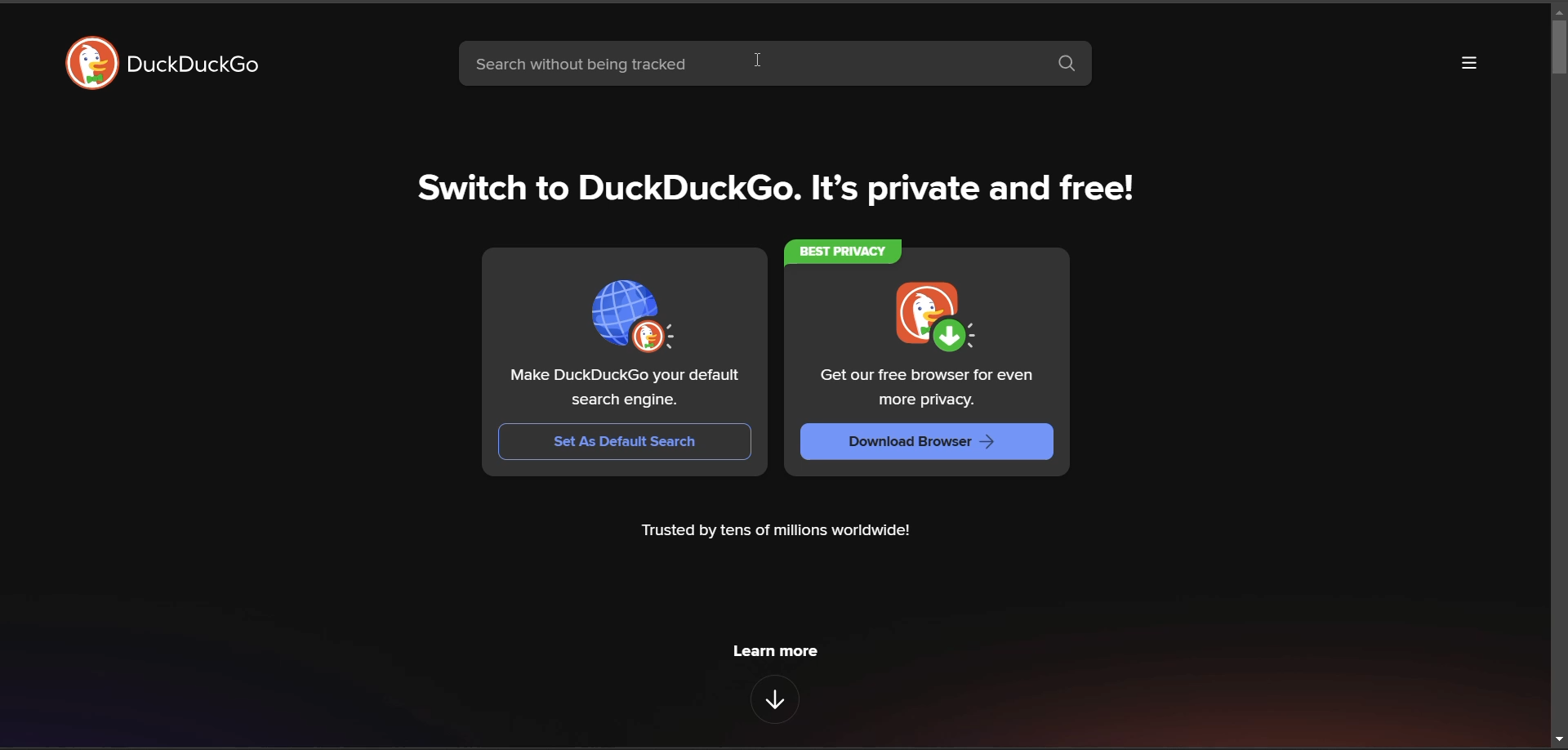 This screenshot has height=750, width=1568. I want to click on BEST PRIVACY, so click(840, 252).